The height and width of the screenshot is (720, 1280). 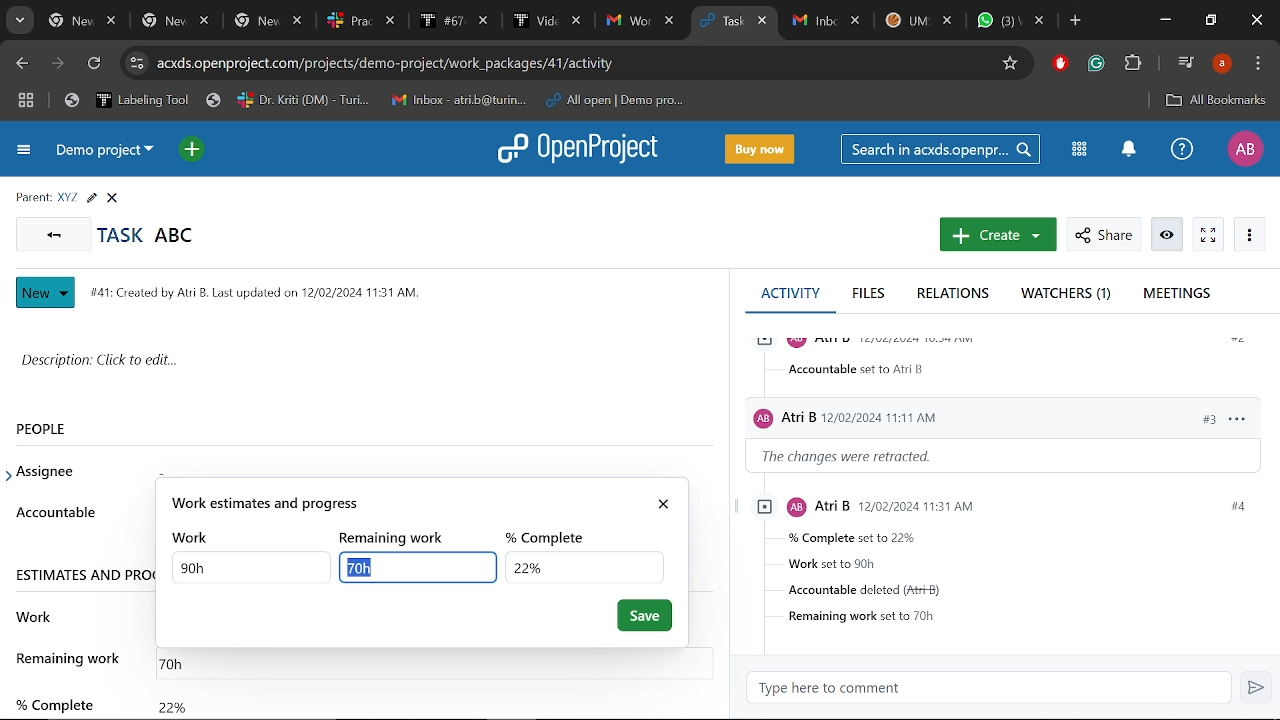 I want to click on assignee, so click(x=51, y=472).